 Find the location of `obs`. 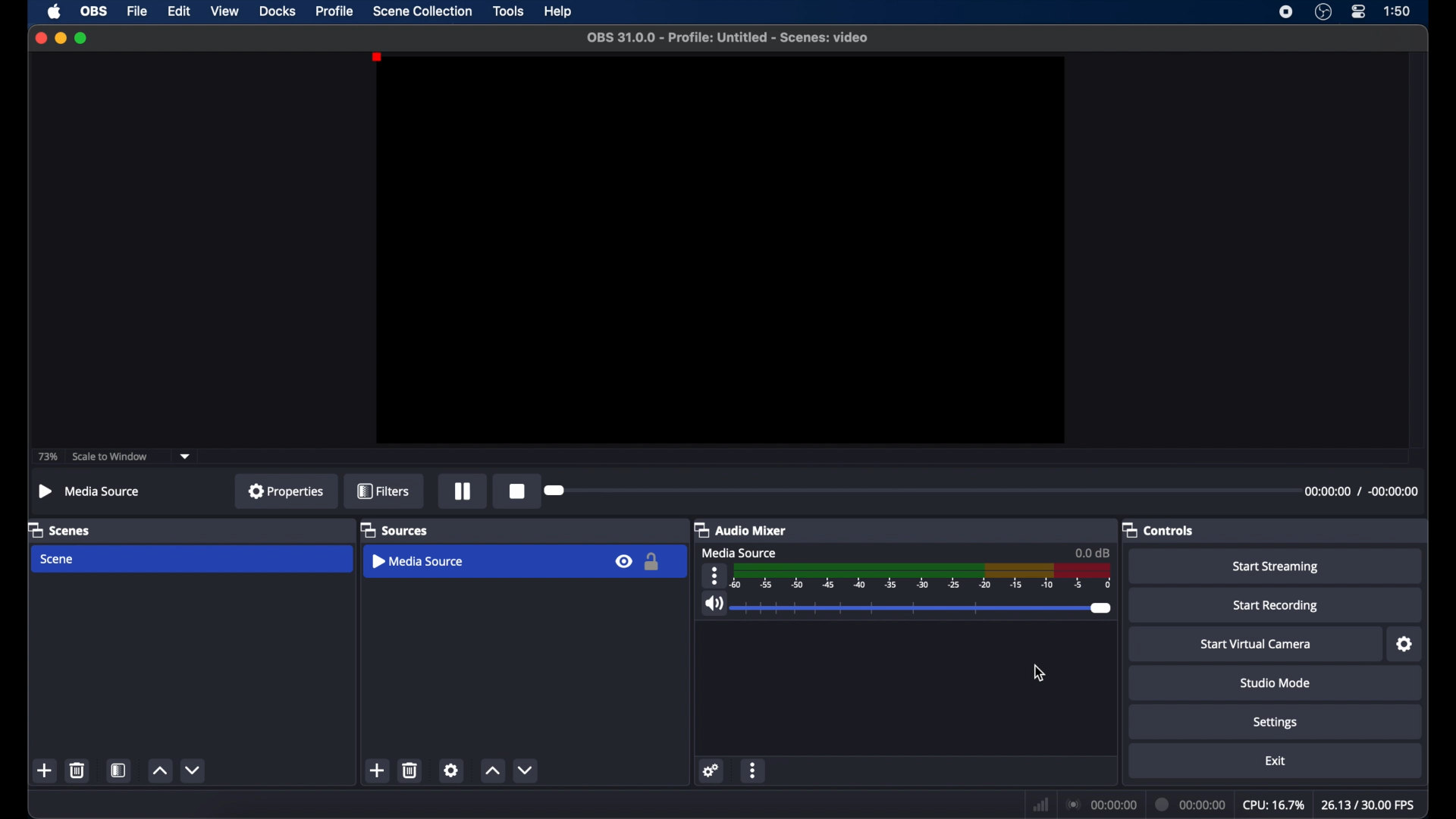

obs is located at coordinates (93, 11).